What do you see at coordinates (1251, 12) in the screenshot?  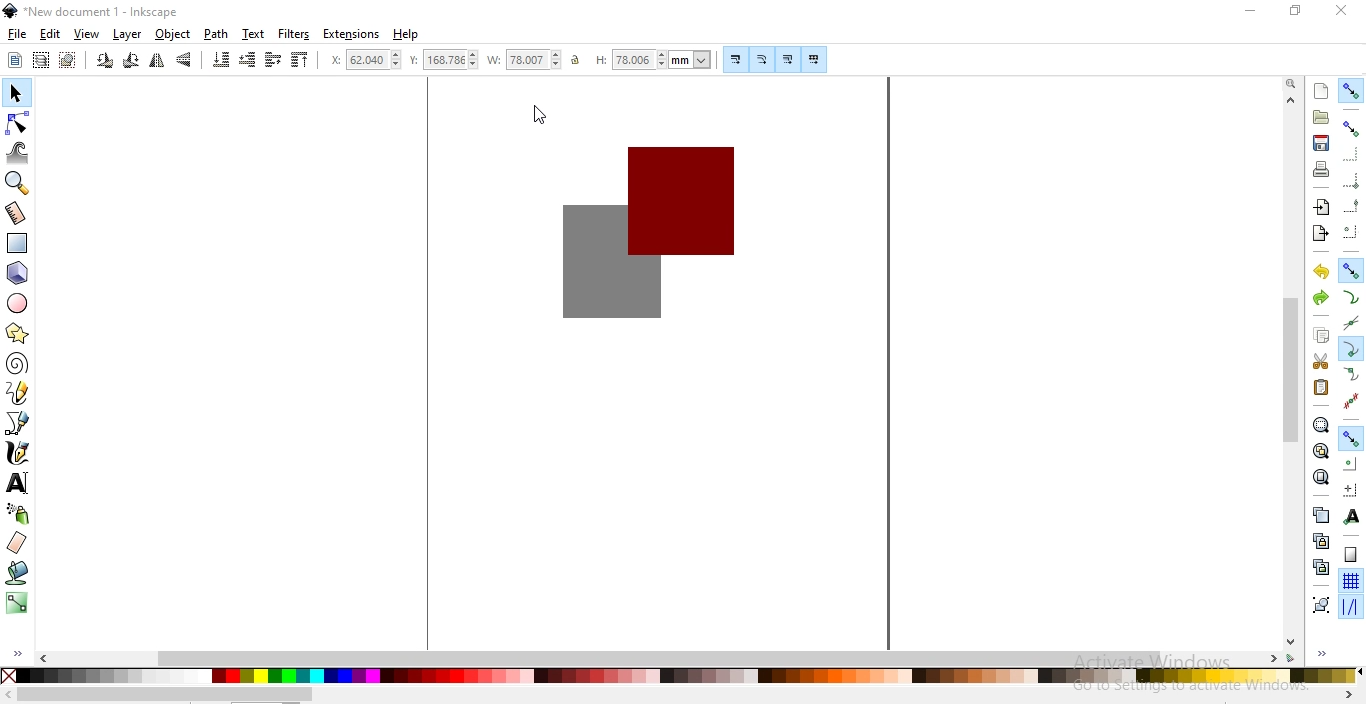 I see `minimize` at bounding box center [1251, 12].